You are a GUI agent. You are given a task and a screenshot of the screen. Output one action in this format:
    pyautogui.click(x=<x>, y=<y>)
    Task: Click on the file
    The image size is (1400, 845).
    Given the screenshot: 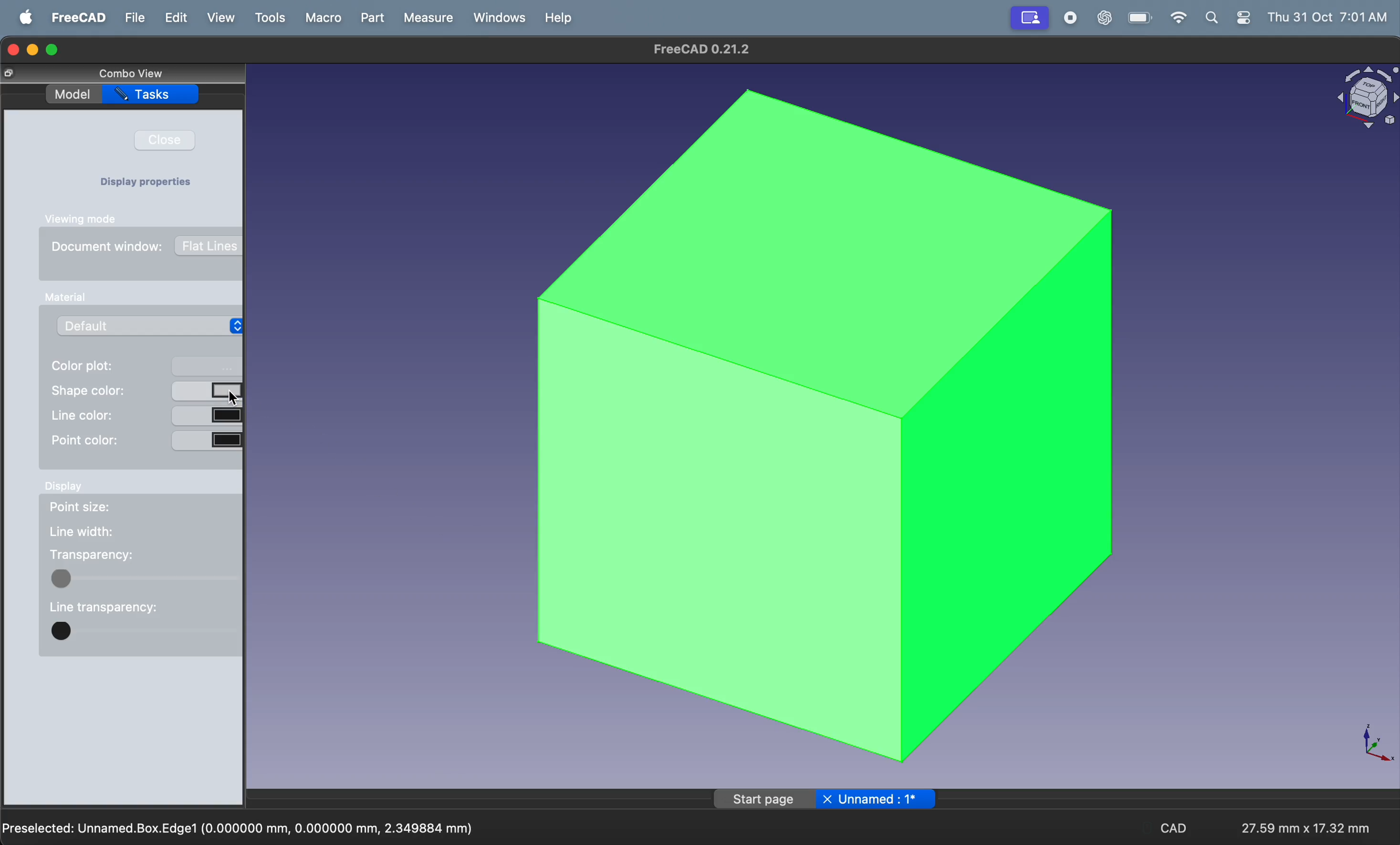 What is the action you would take?
    pyautogui.click(x=134, y=17)
    